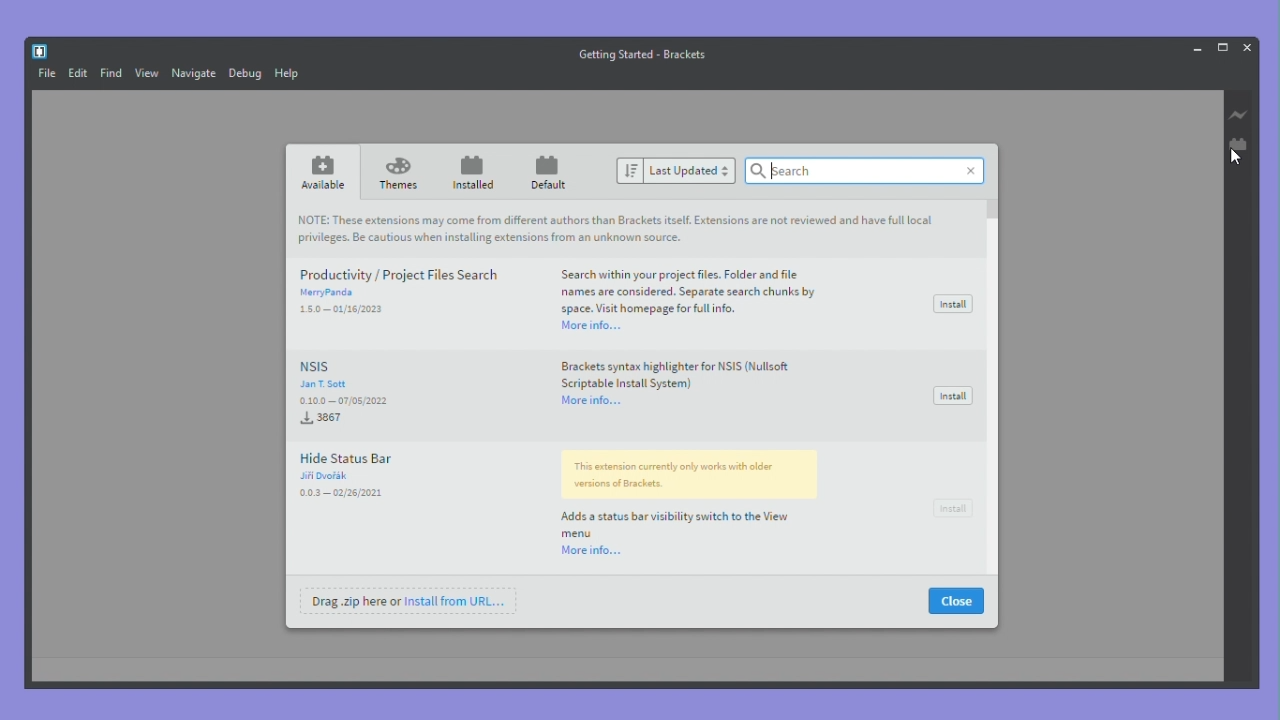 The height and width of the screenshot is (720, 1280). What do you see at coordinates (325, 384) in the screenshot?
I see `Jan T. Sott` at bounding box center [325, 384].